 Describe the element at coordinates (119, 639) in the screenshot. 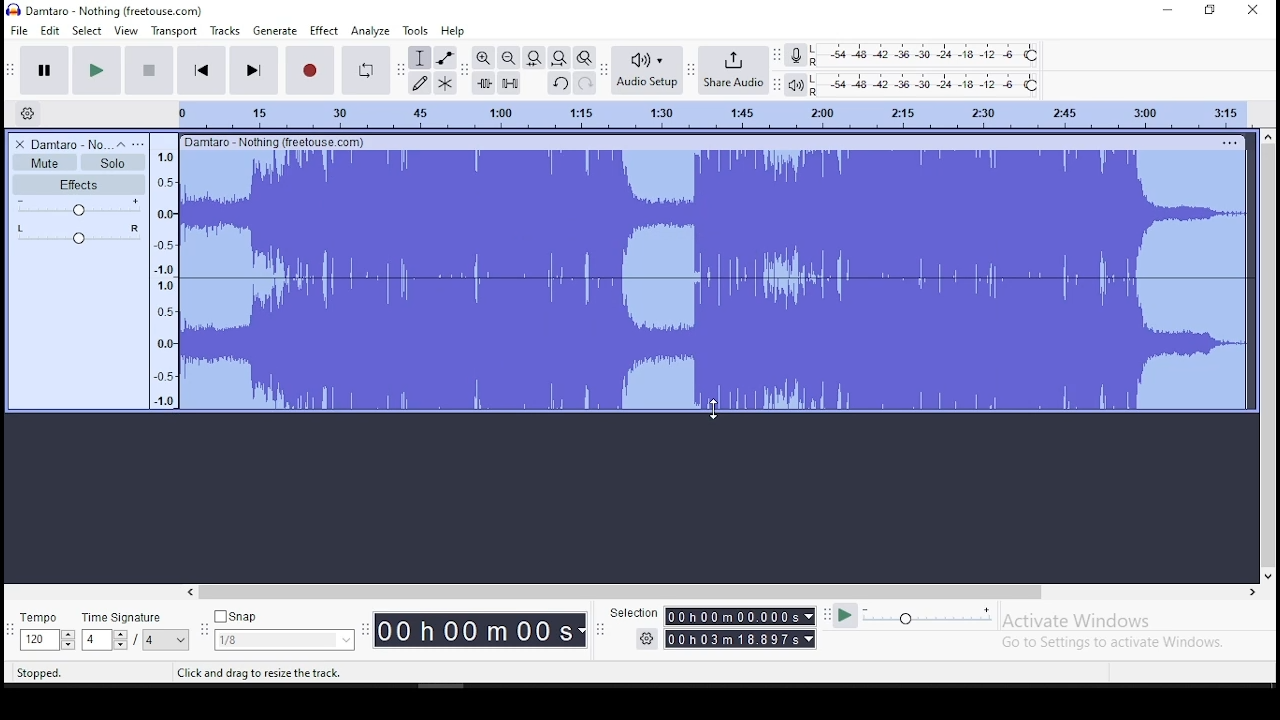

I see `Drop down` at that location.